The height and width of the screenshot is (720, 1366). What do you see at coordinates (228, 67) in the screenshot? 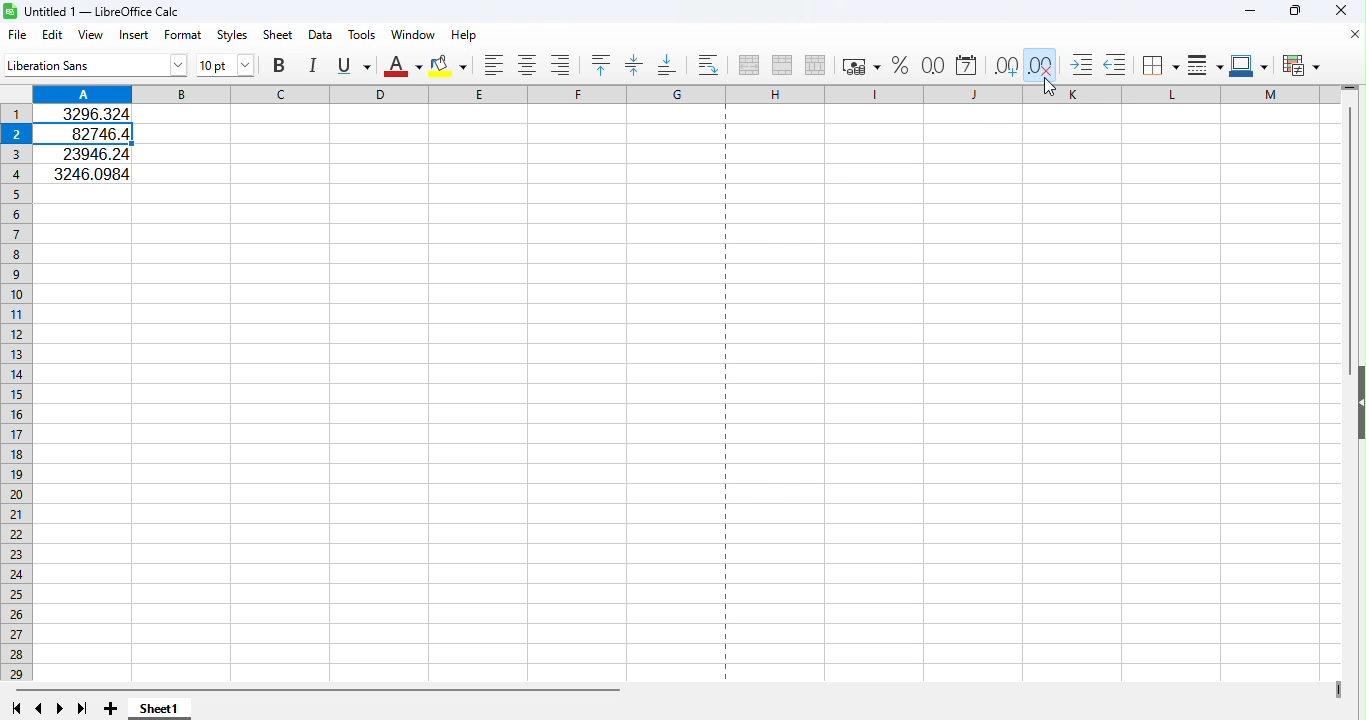
I see `Font size - 10pt` at bounding box center [228, 67].